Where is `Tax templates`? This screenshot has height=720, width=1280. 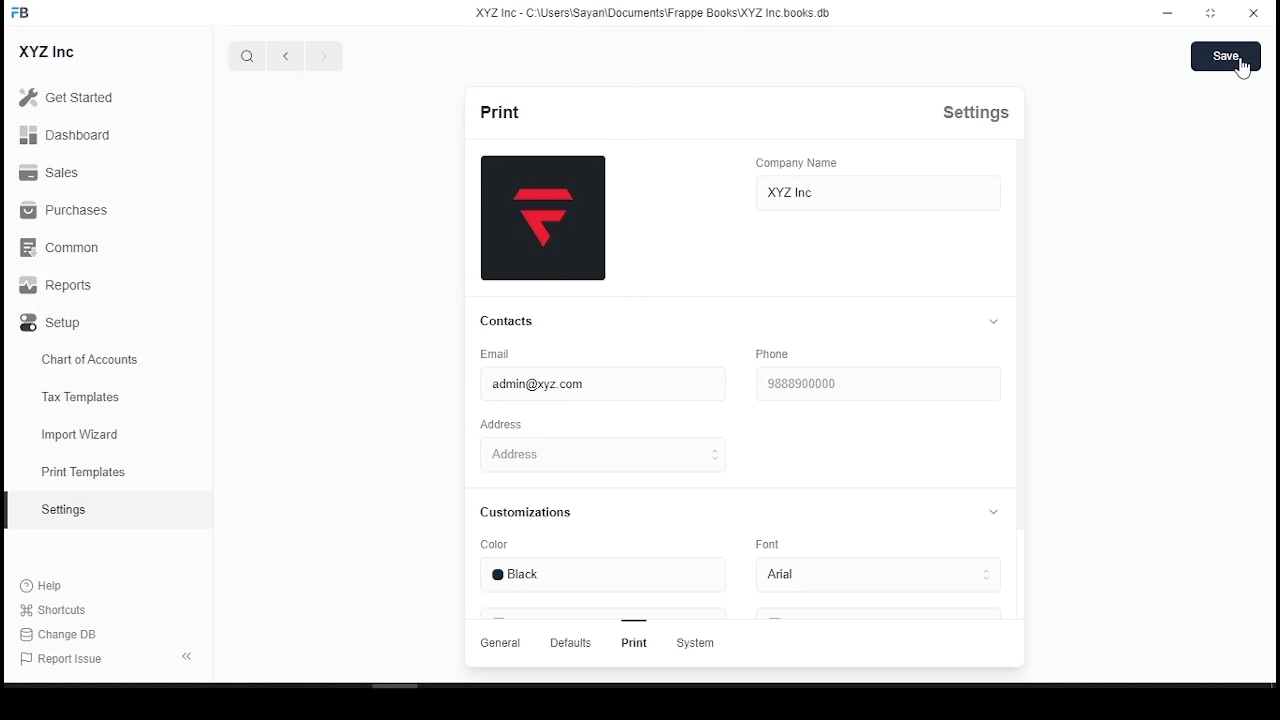
Tax templates is located at coordinates (81, 398).